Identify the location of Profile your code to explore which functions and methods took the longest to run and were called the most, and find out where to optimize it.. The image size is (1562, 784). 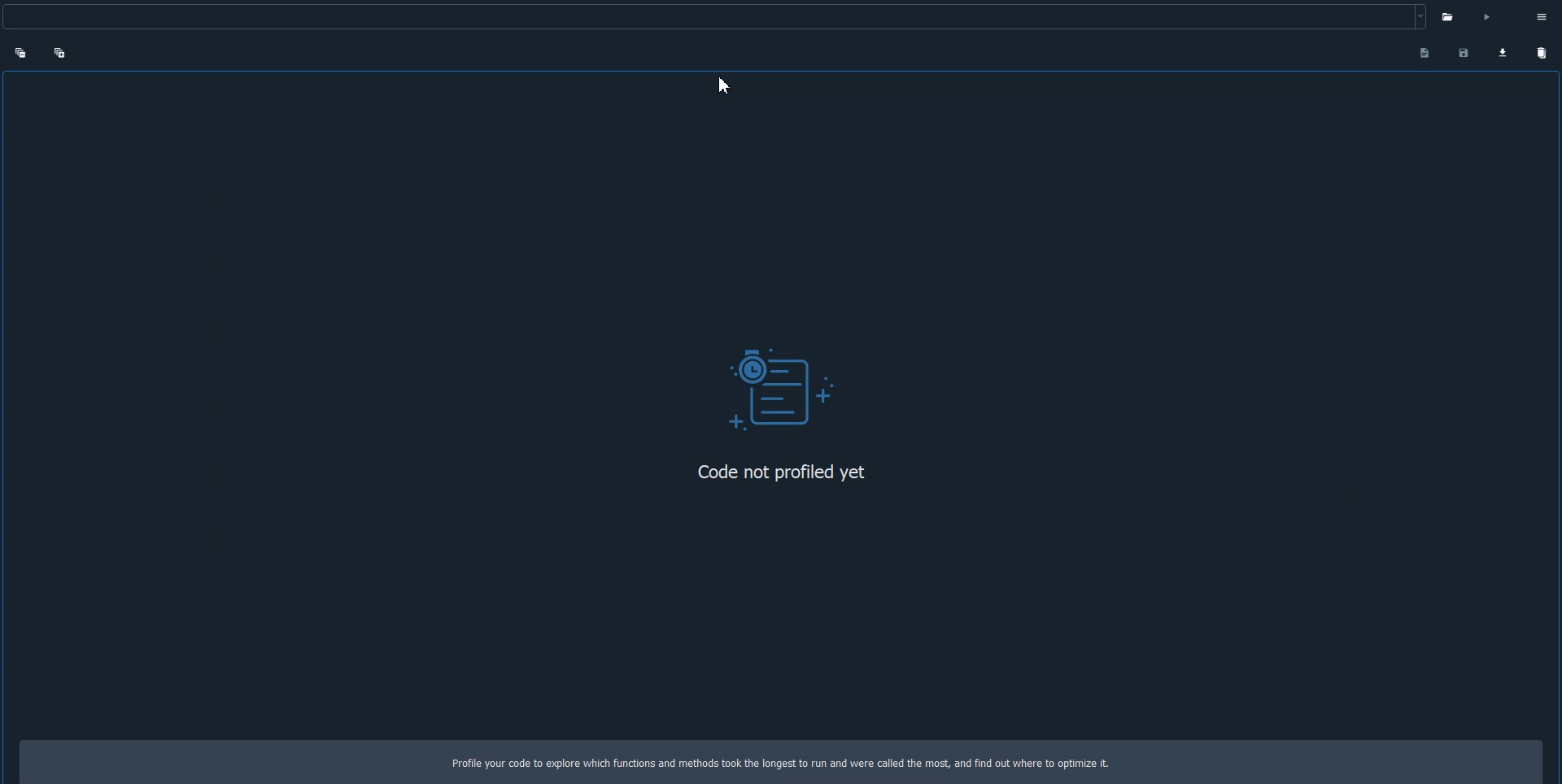
(795, 764).